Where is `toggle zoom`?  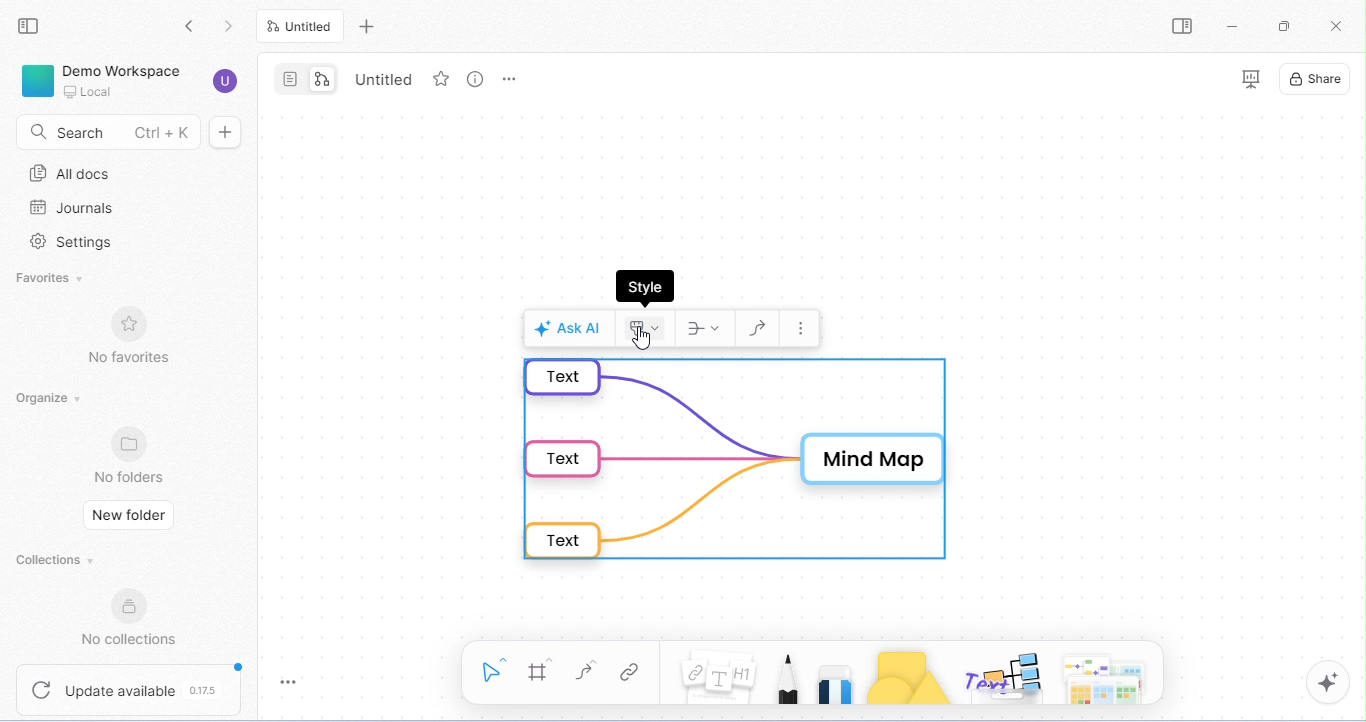
toggle zoom is located at coordinates (288, 685).